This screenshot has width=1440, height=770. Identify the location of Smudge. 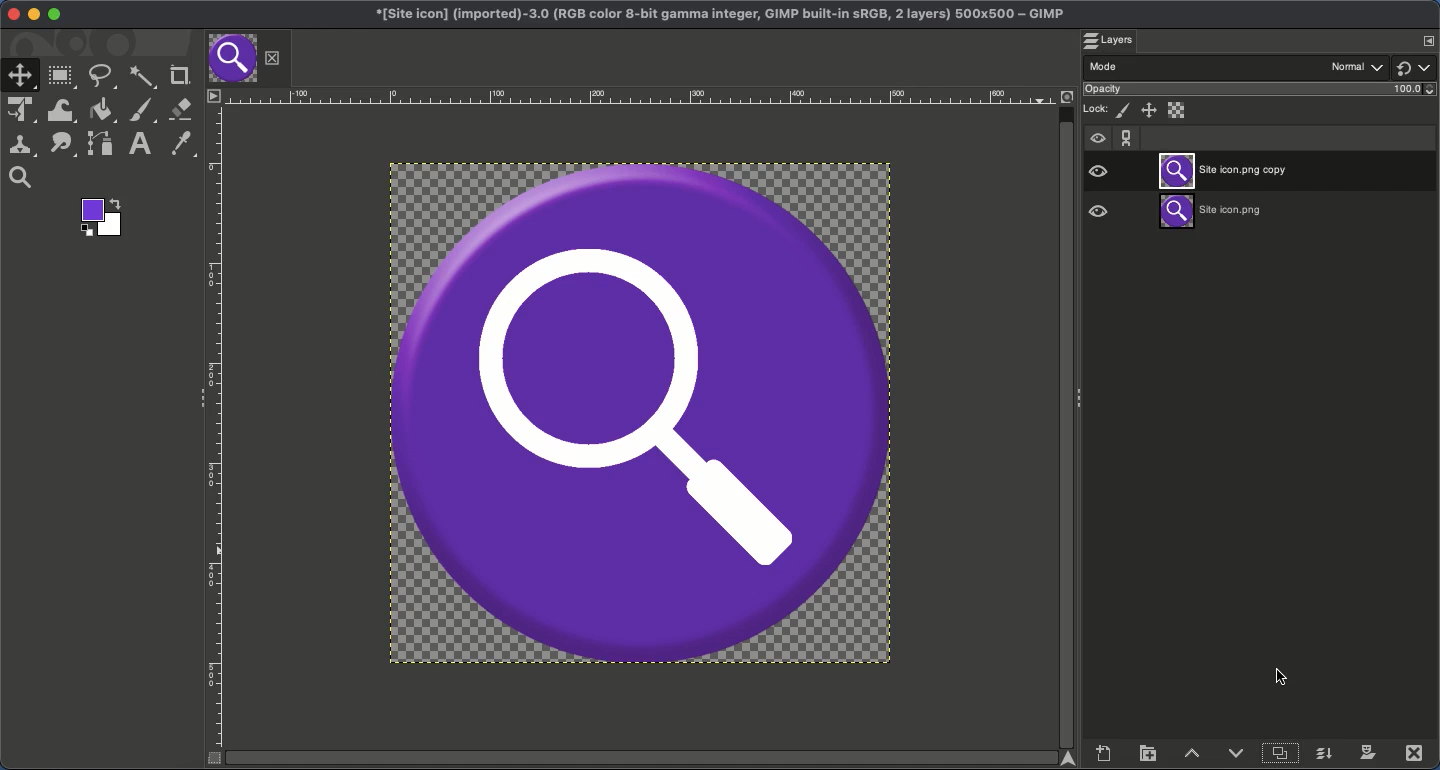
(61, 145).